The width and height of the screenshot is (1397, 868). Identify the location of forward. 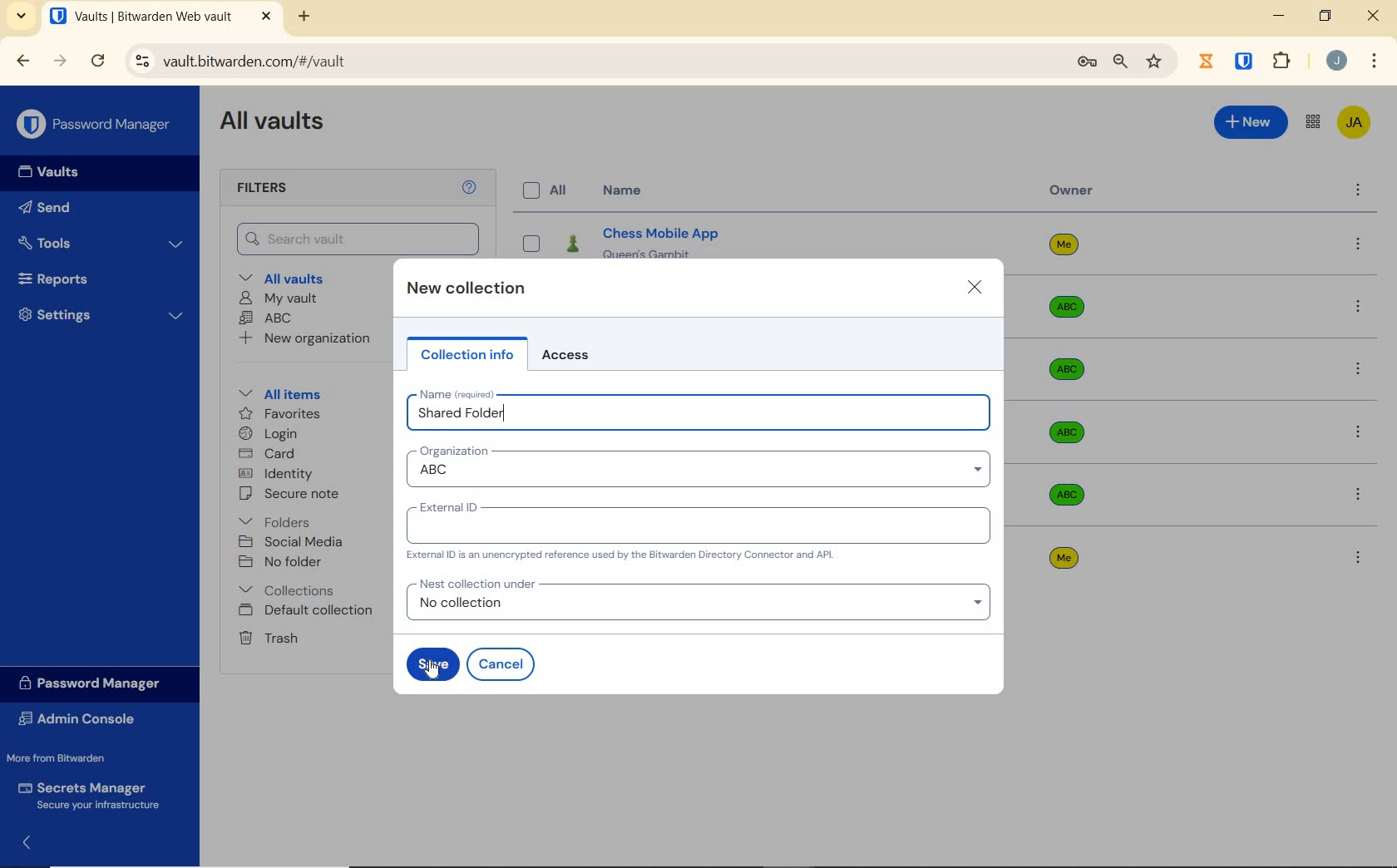
(61, 62).